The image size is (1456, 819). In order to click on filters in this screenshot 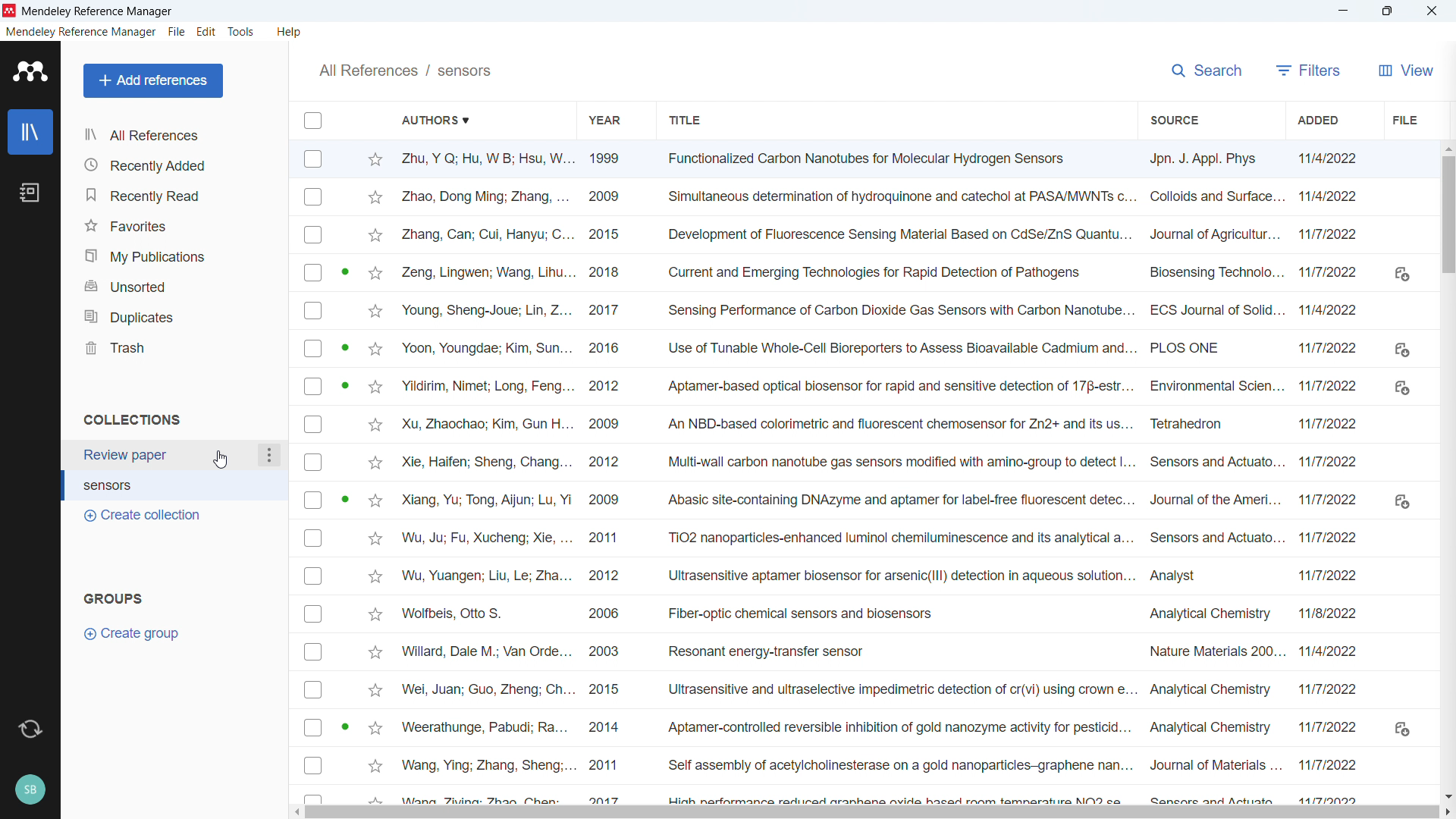, I will do `click(1307, 70)`.